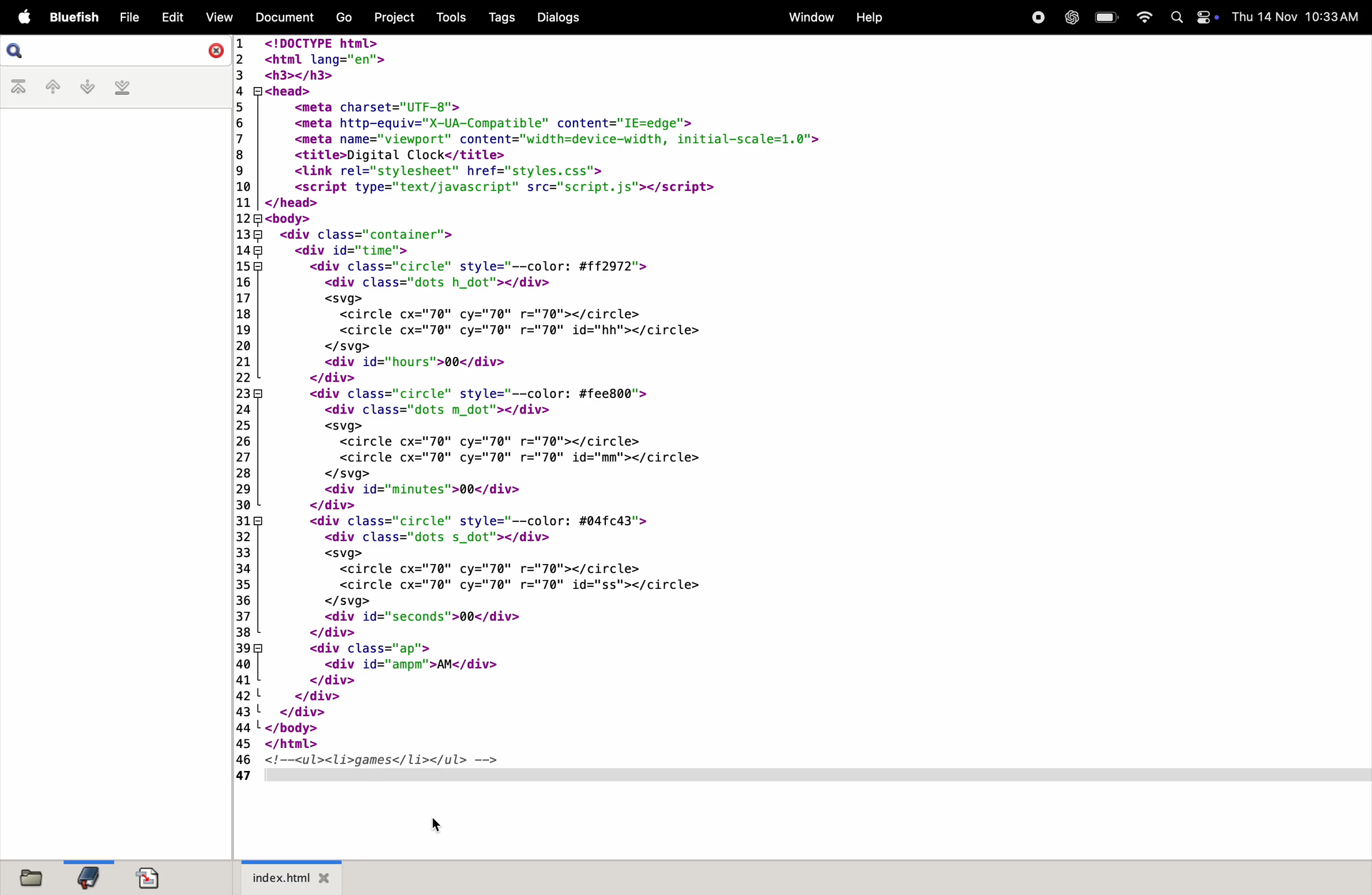  What do you see at coordinates (149, 874) in the screenshot?
I see `document` at bounding box center [149, 874].